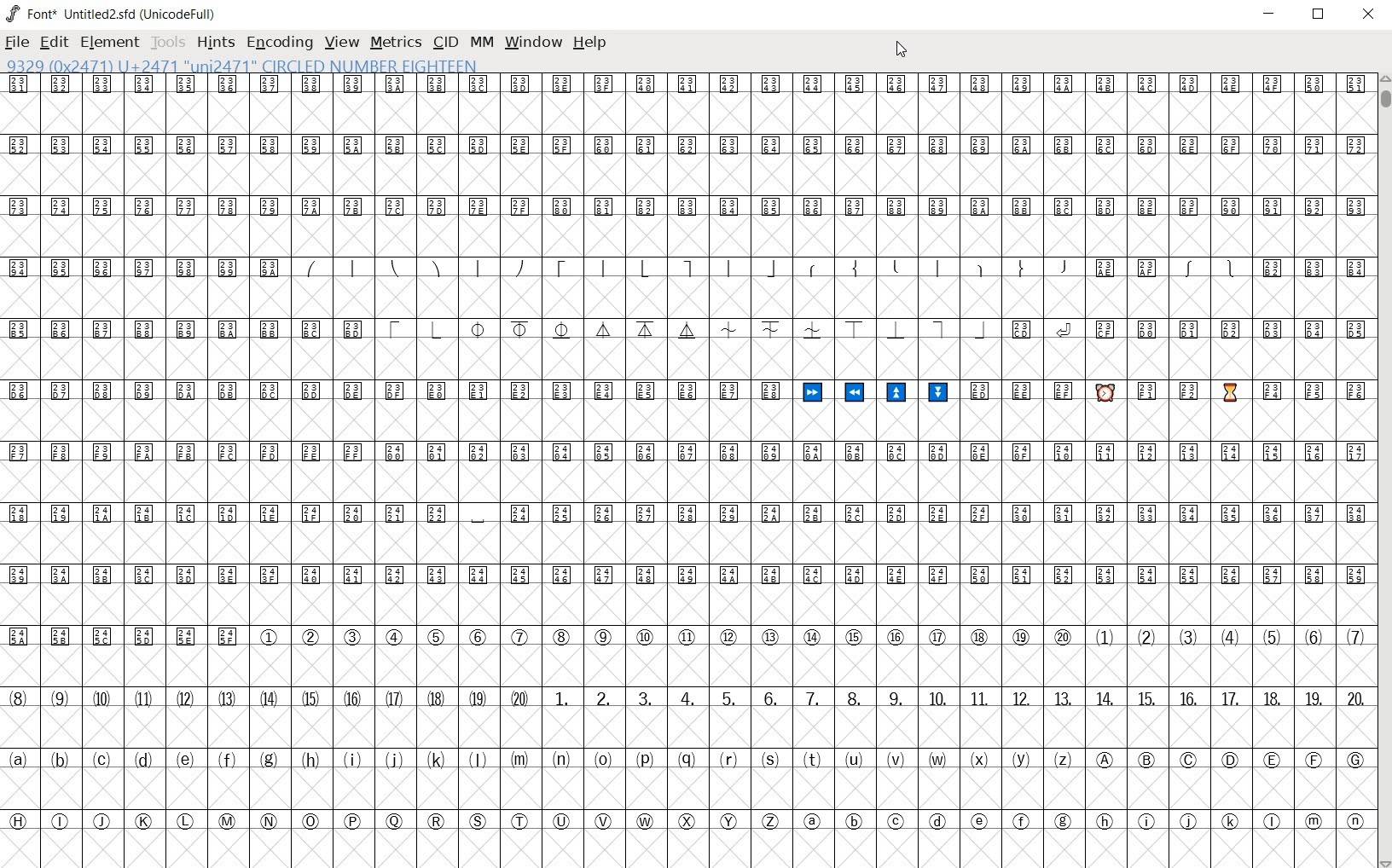 This screenshot has height=868, width=1392. Describe the element at coordinates (1383, 471) in the screenshot. I see `scrollbar` at that location.